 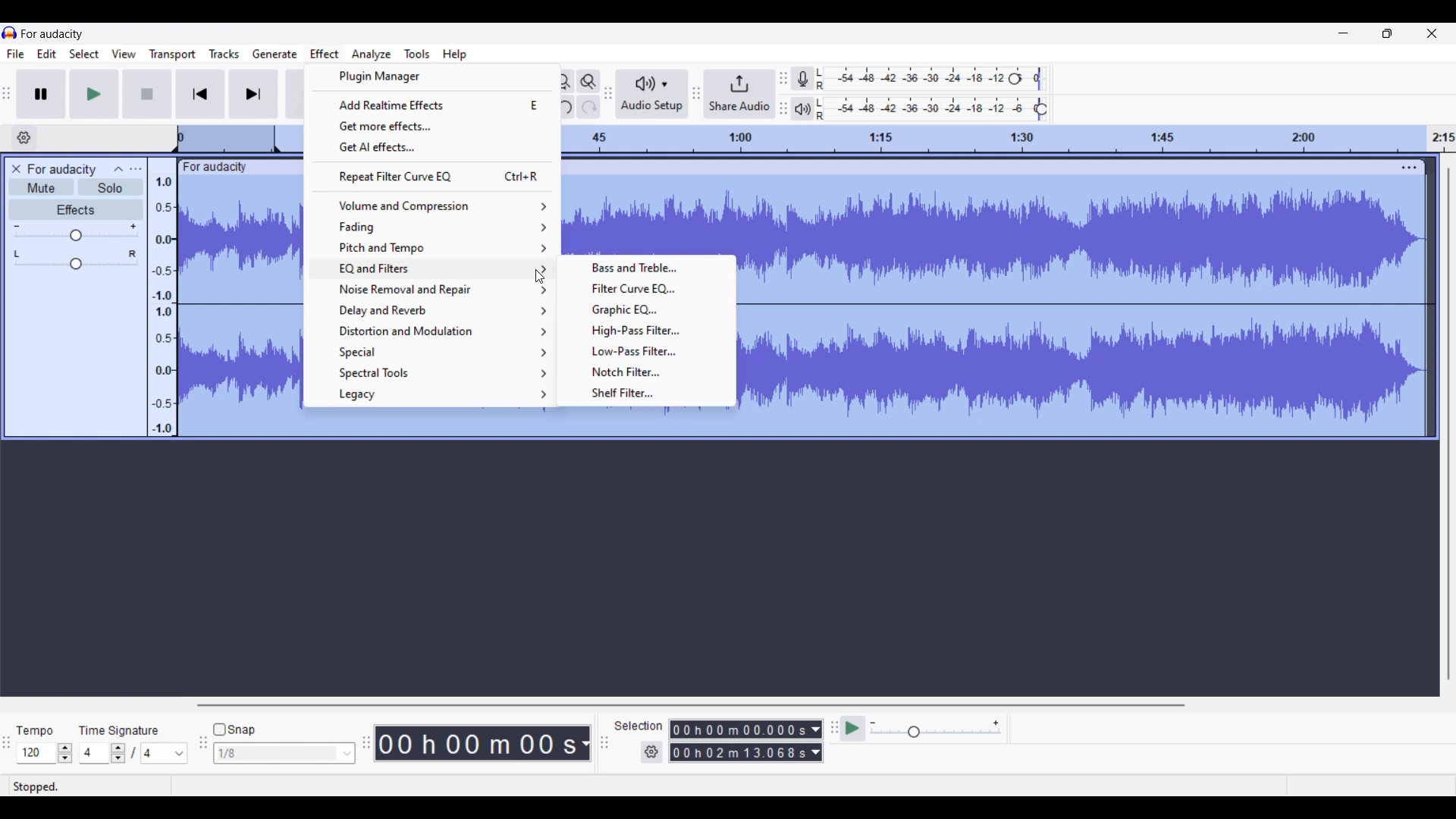 What do you see at coordinates (161, 297) in the screenshot?
I see `Scale to measure audio` at bounding box center [161, 297].